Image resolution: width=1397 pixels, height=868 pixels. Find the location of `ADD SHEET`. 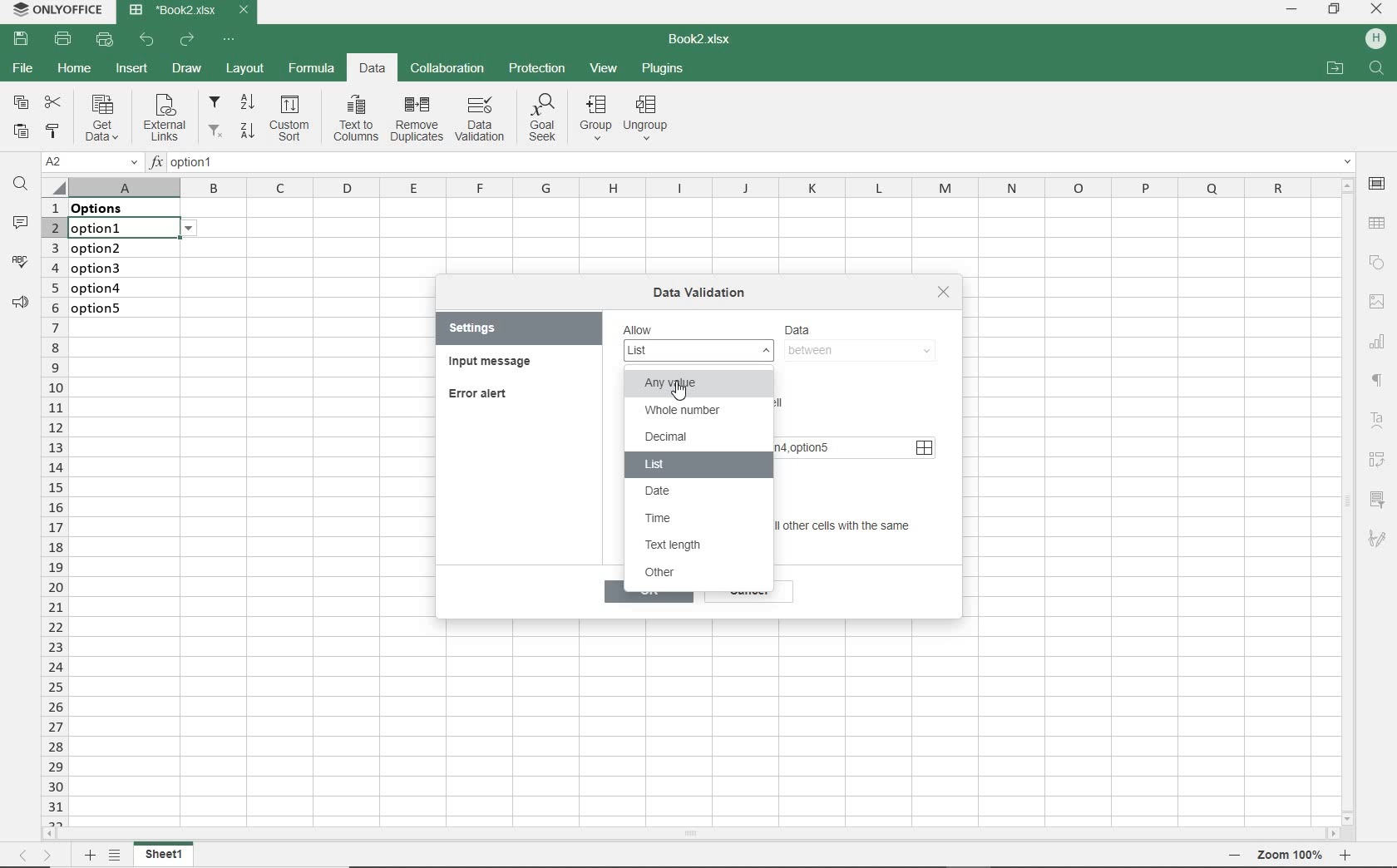

ADD SHEET is located at coordinates (90, 856).